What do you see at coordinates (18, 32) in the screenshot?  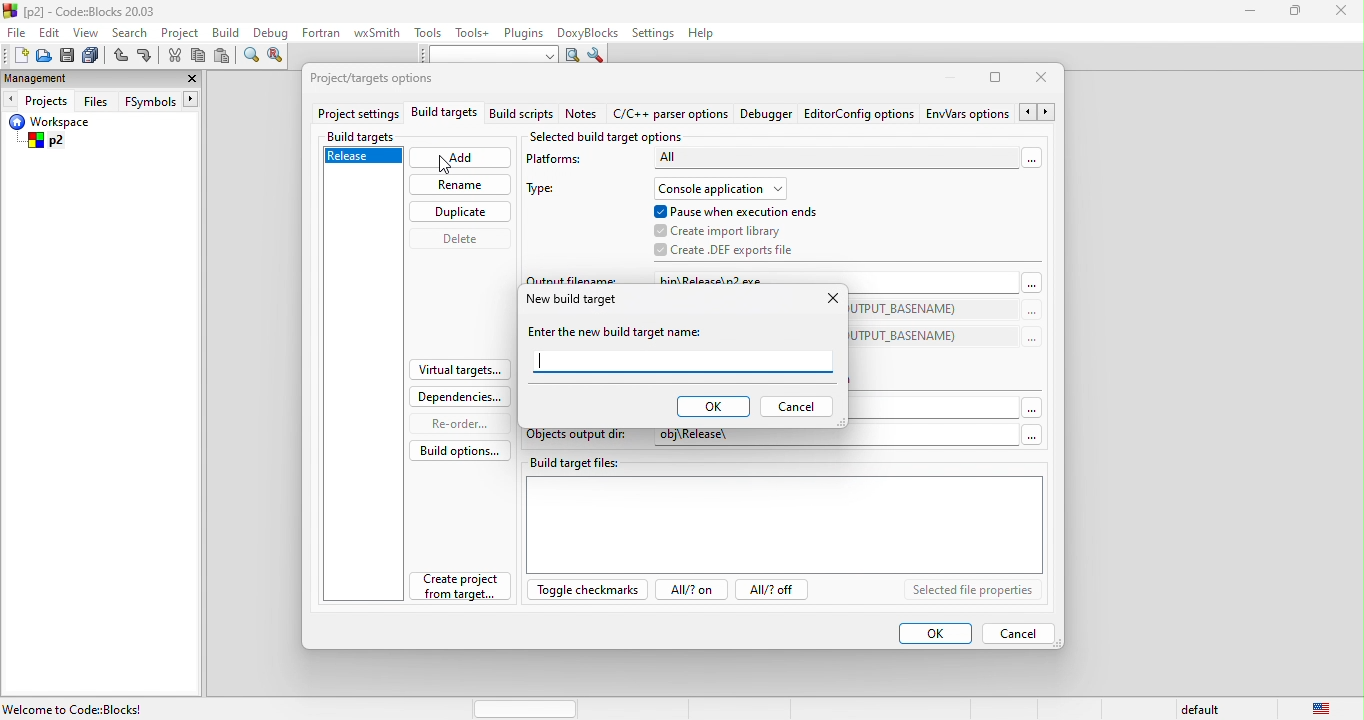 I see `file` at bounding box center [18, 32].